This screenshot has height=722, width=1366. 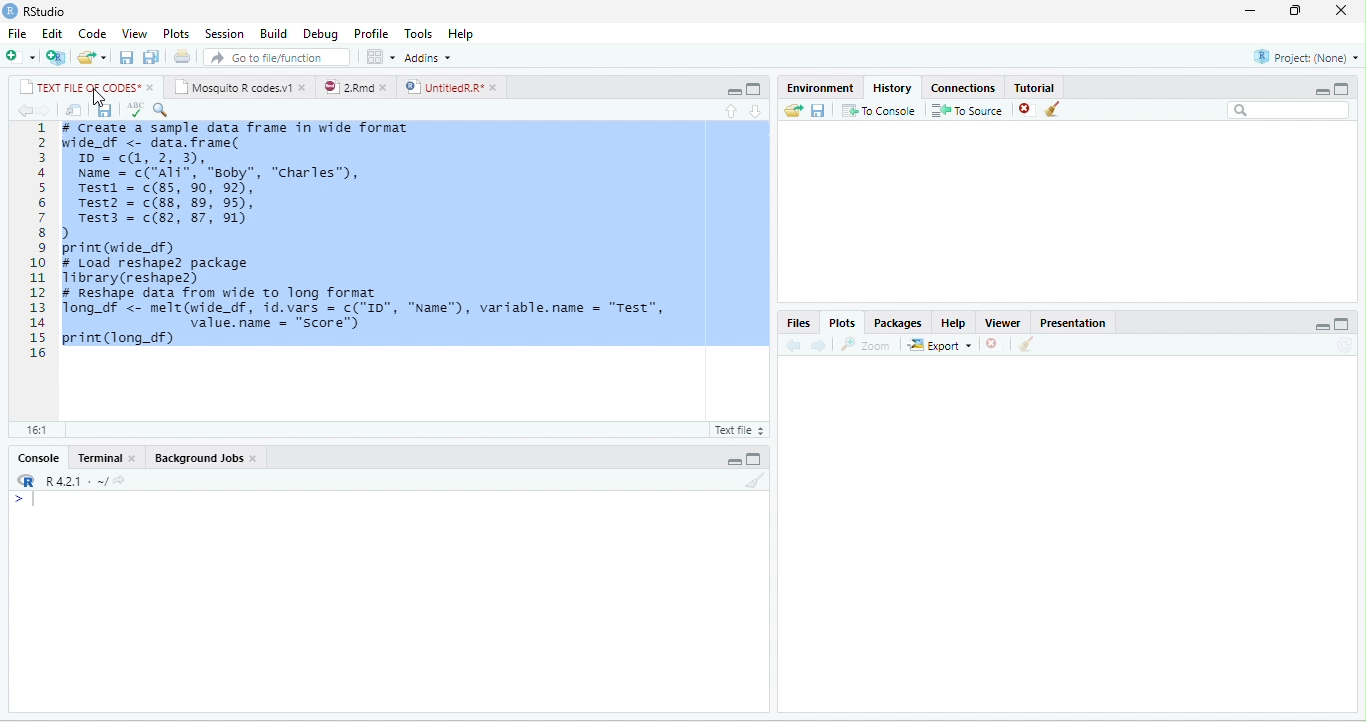 I want to click on Debug, so click(x=322, y=35).